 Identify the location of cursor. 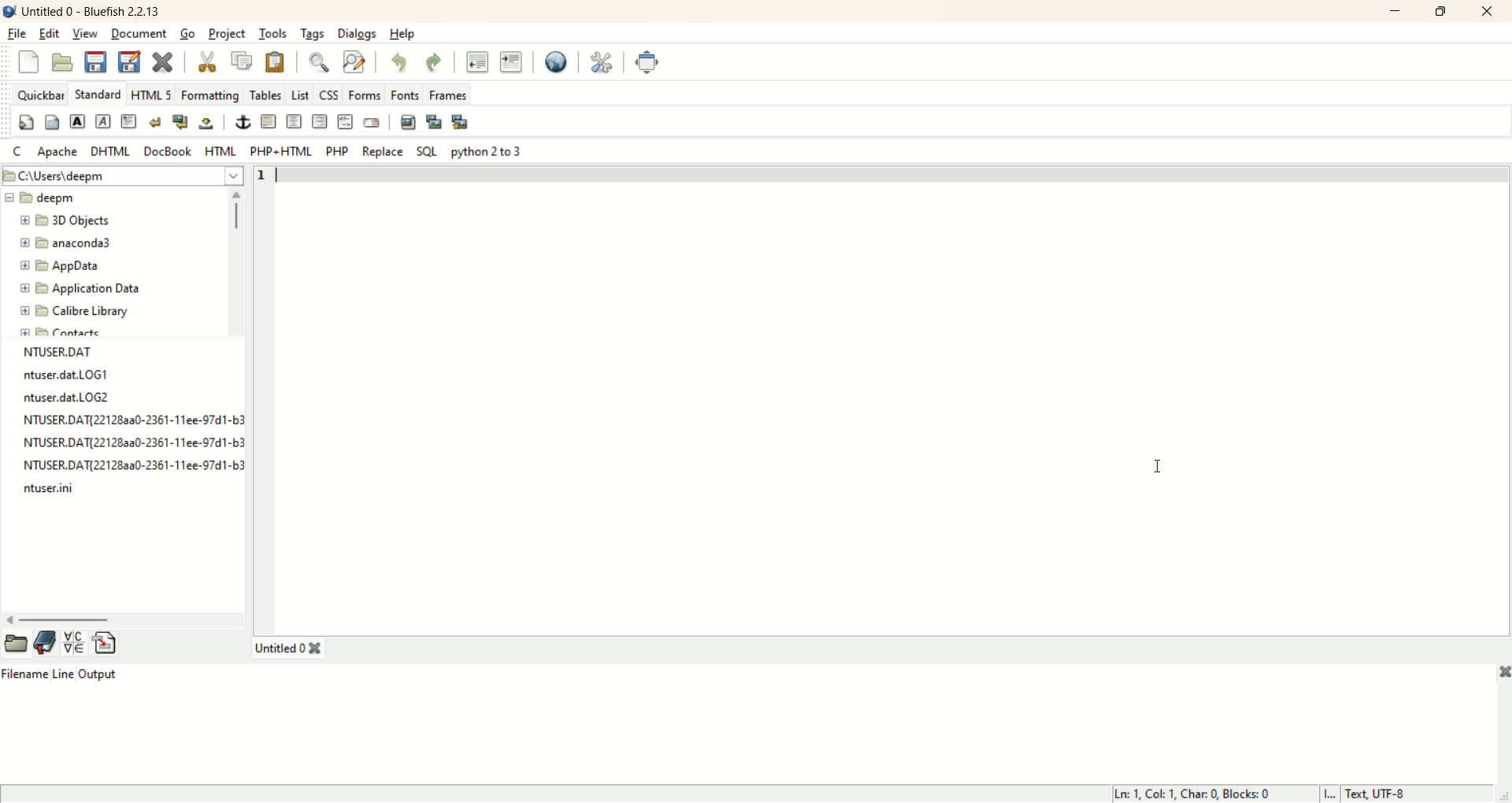
(1154, 464).